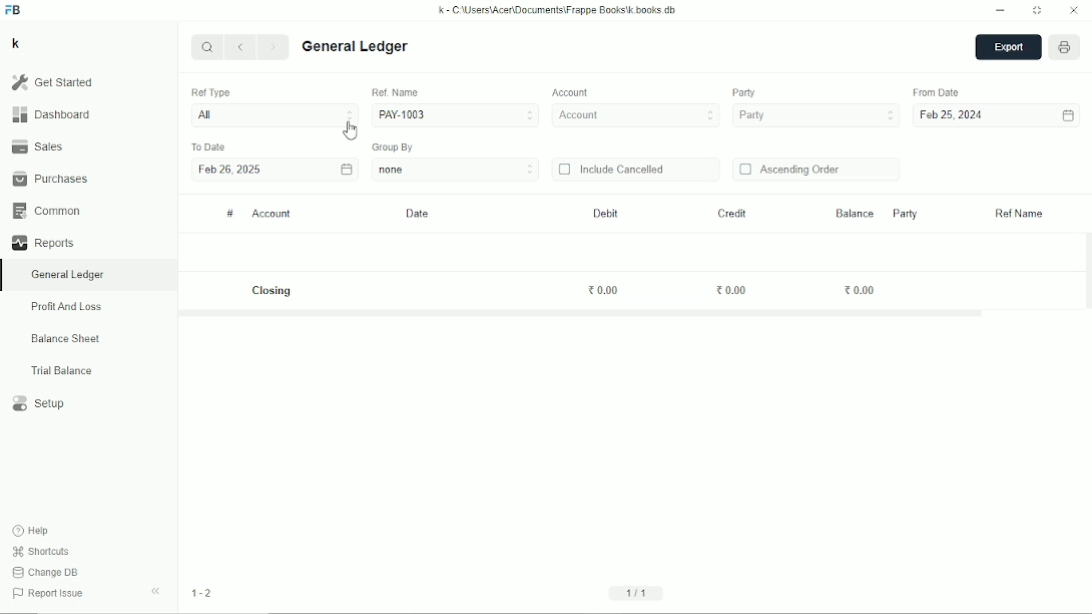 The width and height of the screenshot is (1092, 614). I want to click on General ledger, so click(356, 47).